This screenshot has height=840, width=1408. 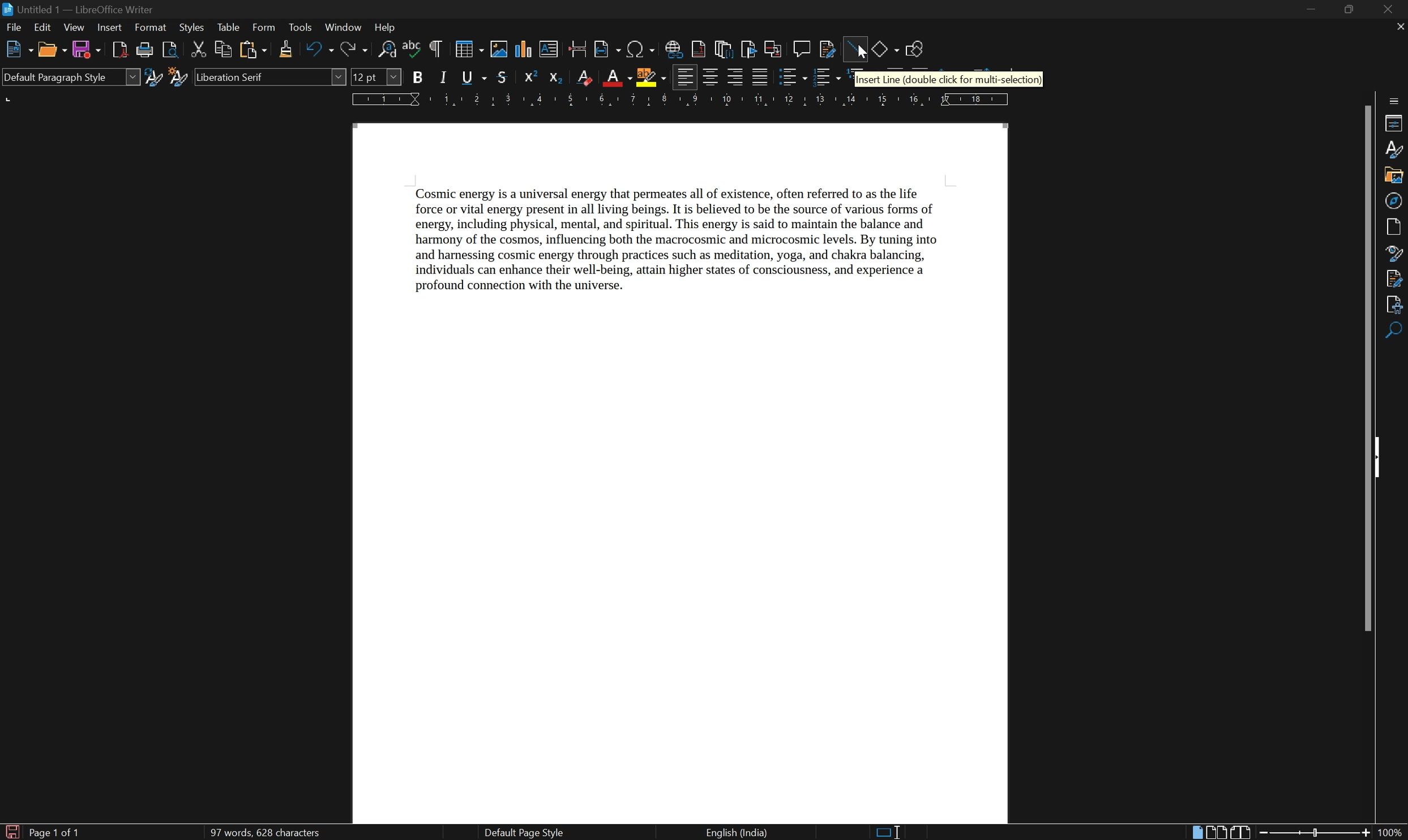 I want to click on basic shapes, so click(x=885, y=48).